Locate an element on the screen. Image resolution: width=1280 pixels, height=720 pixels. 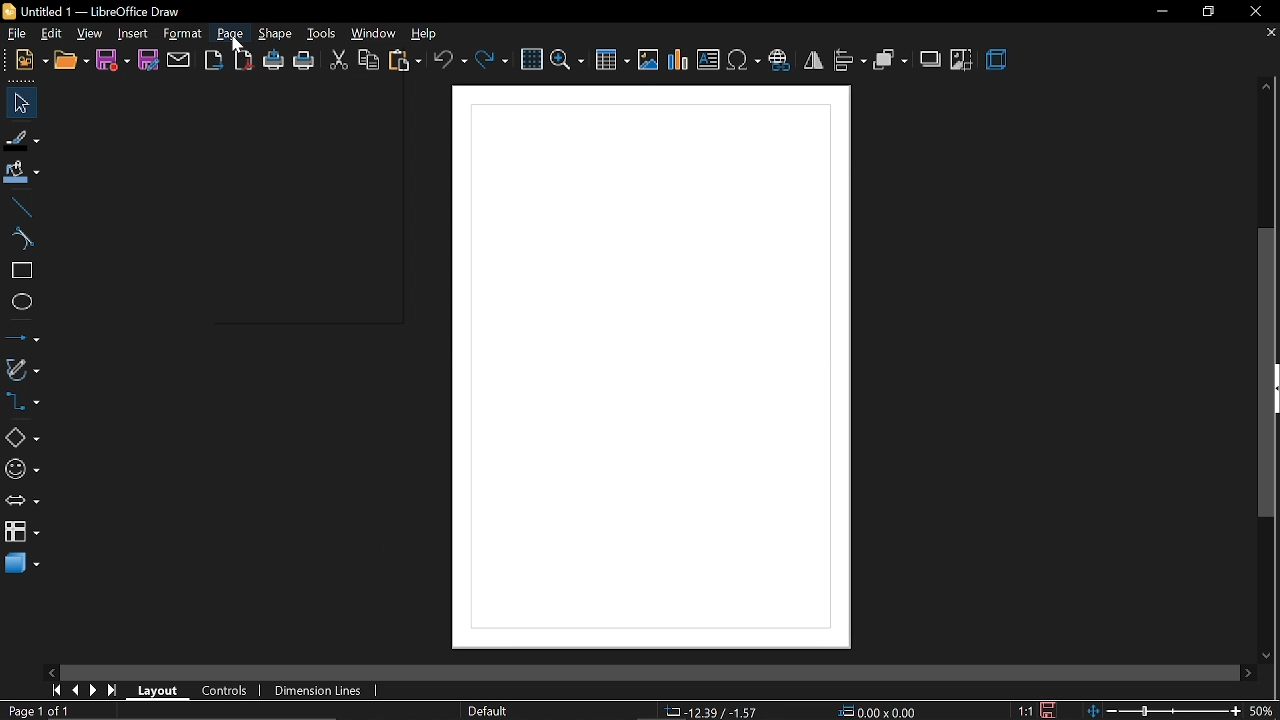
connector is located at coordinates (23, 406).